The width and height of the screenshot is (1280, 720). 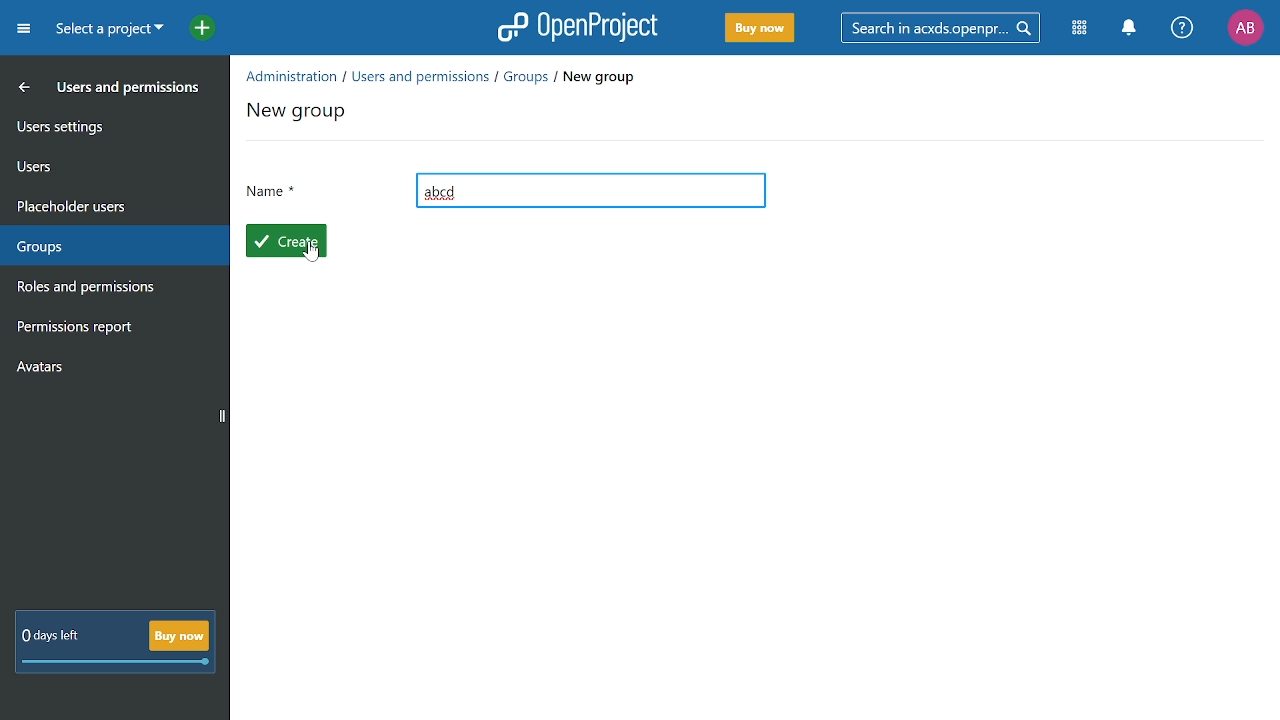 I want to click on Open Menu, so click(x=27, y=32).